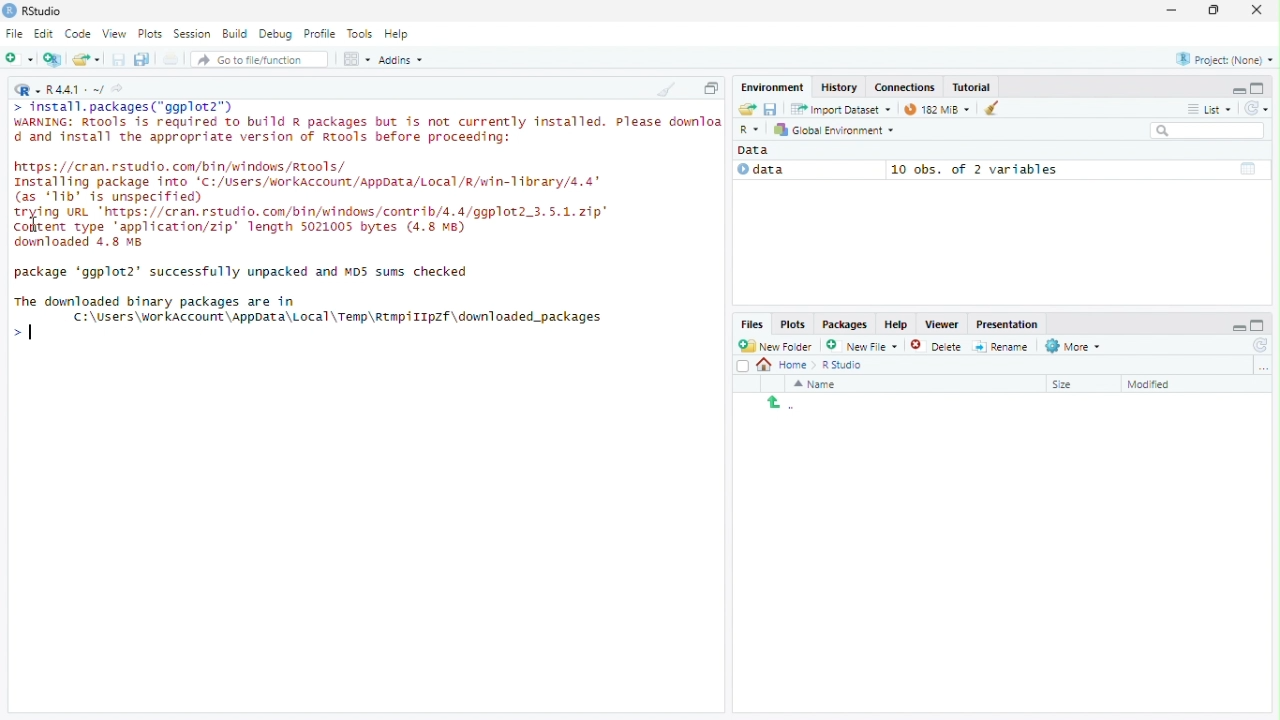 The height and width of the screenshot is (720, 1280). I want to click on New Folder, so click(778, 346).